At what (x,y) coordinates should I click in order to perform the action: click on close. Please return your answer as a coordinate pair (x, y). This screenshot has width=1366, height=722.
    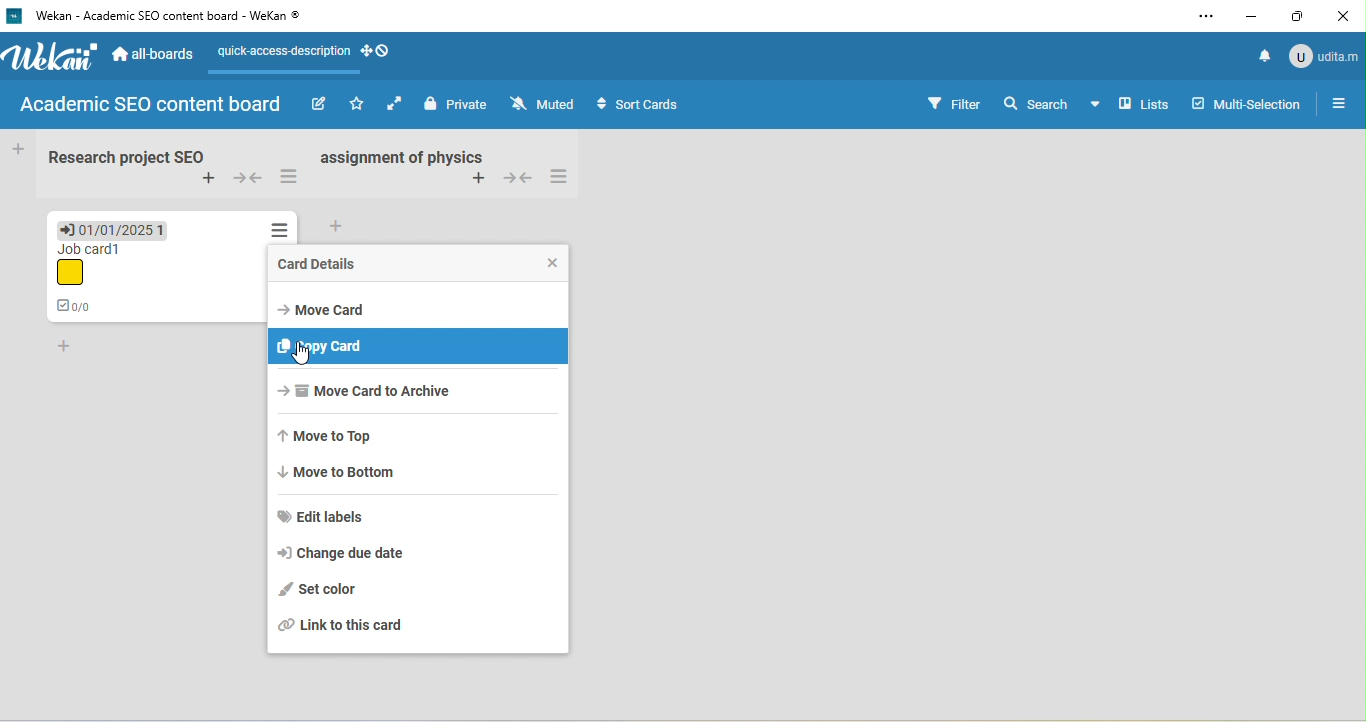
    Looking at the image, I should click on (1344, 15).